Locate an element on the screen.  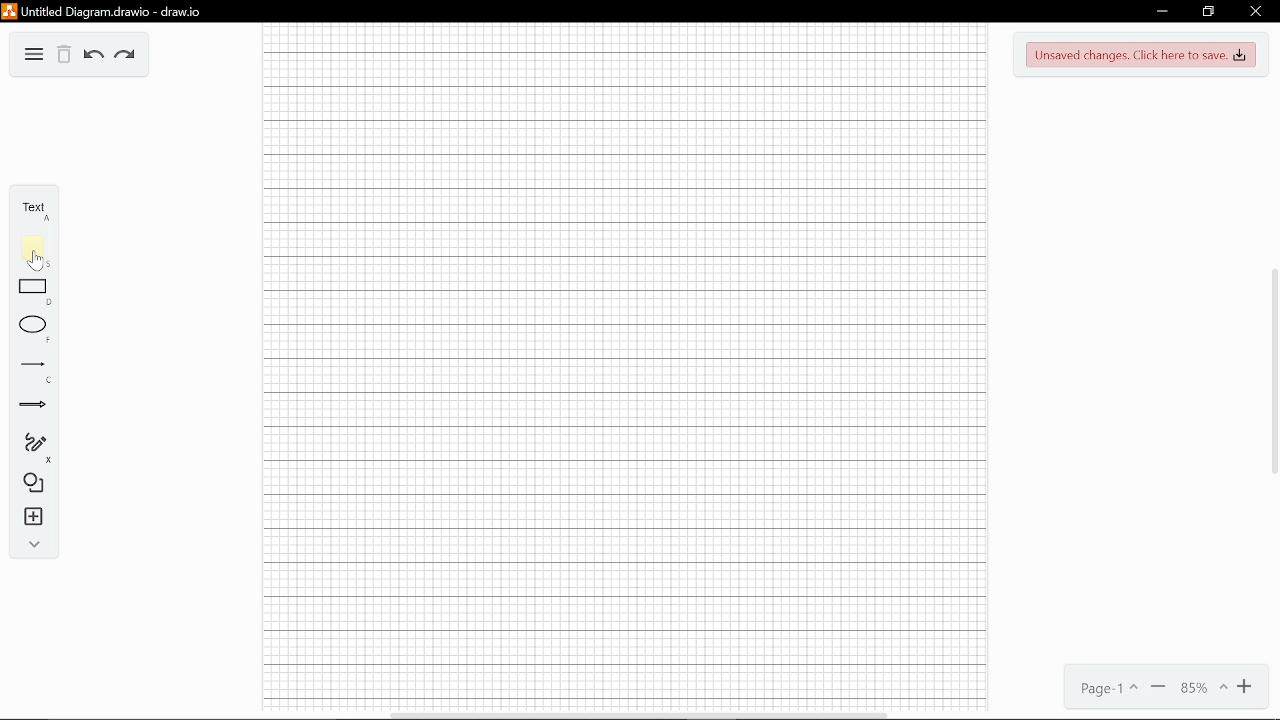
Page 1 is located at coordinates (1106, 690).